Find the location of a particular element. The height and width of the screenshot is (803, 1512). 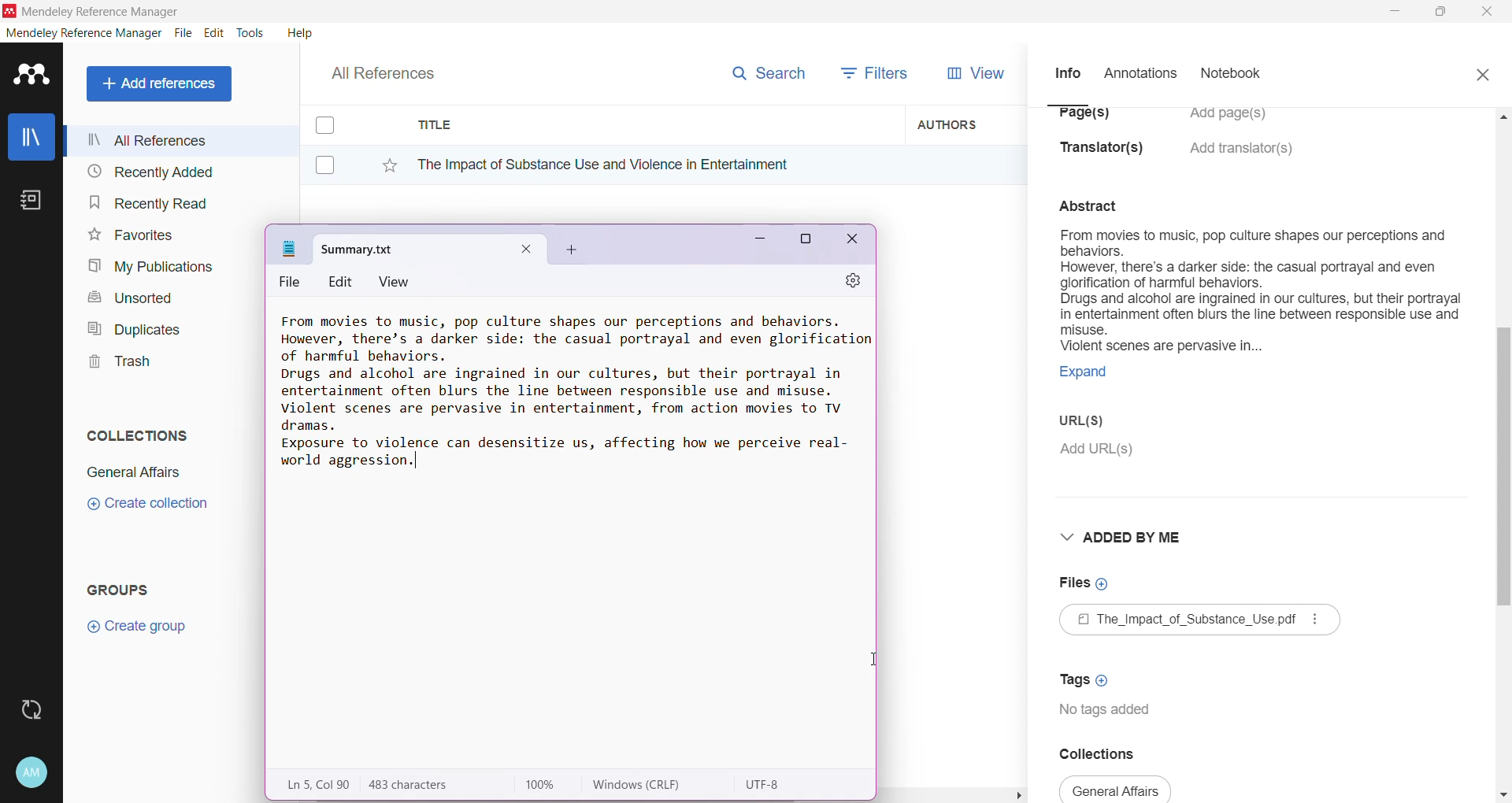

Settings is located at coordinates (847, 282).